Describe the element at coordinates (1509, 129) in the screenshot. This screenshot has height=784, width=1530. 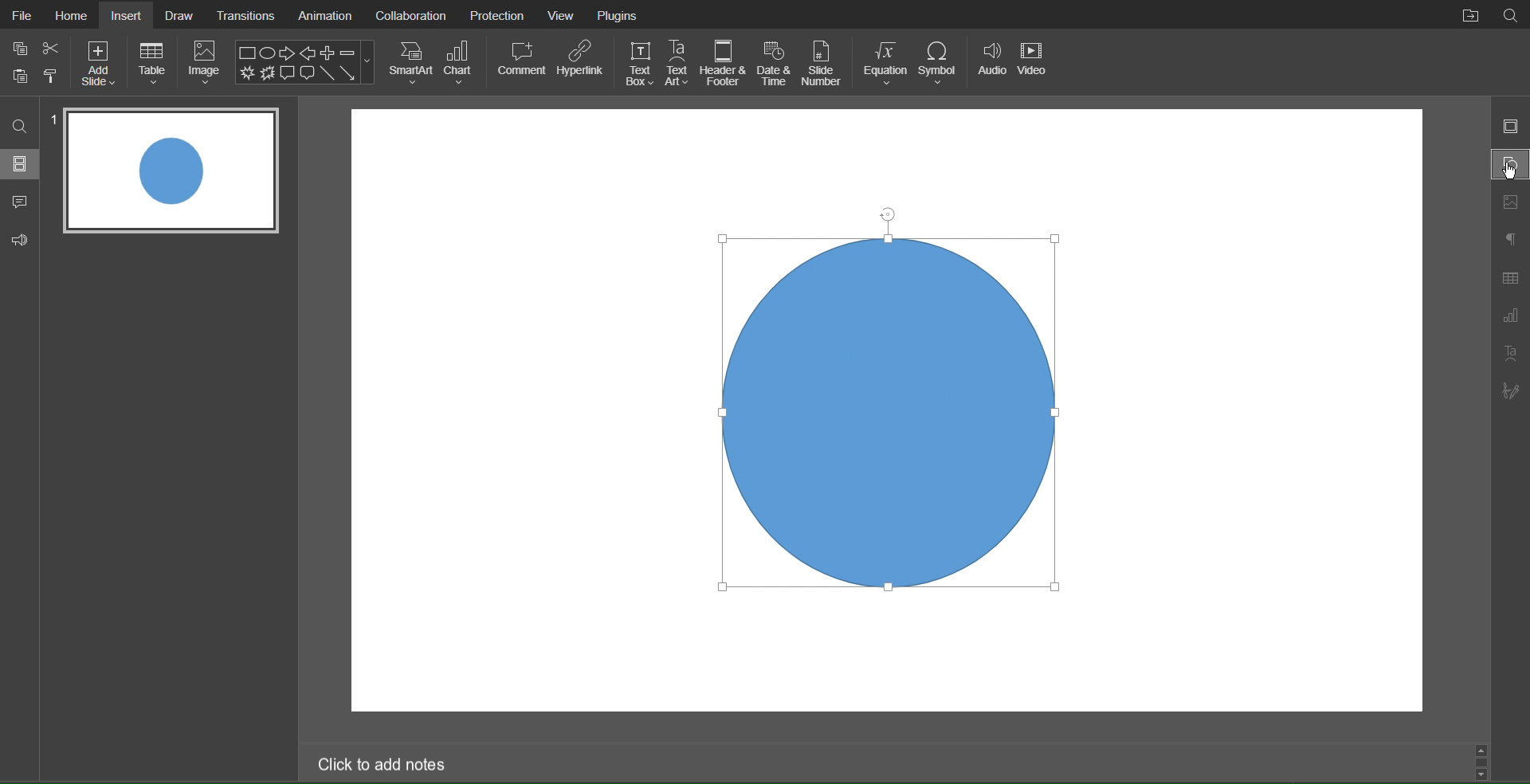
I see `Slide Settings` at that location.